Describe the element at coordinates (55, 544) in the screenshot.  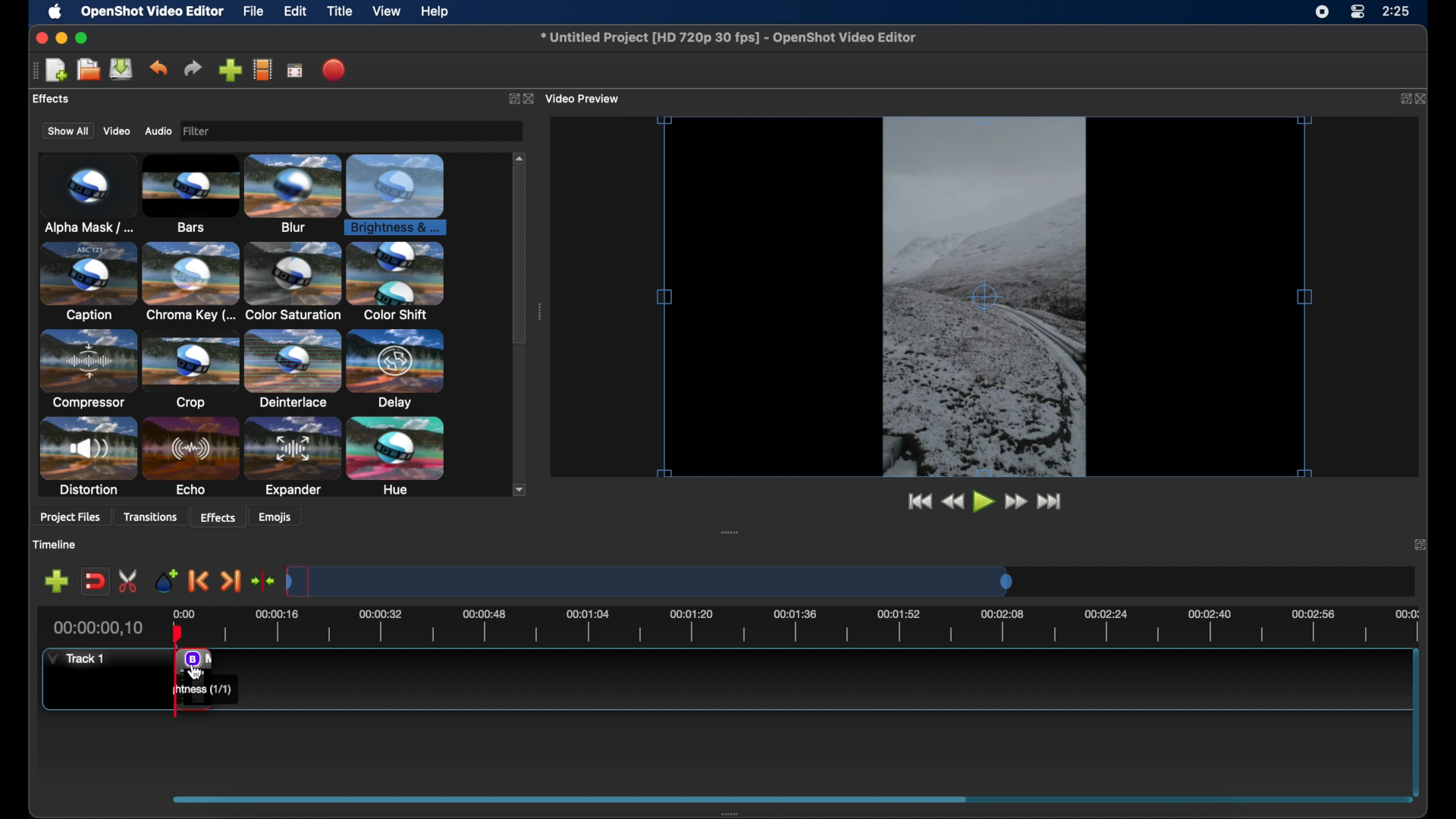
I see `timeline` at that location.